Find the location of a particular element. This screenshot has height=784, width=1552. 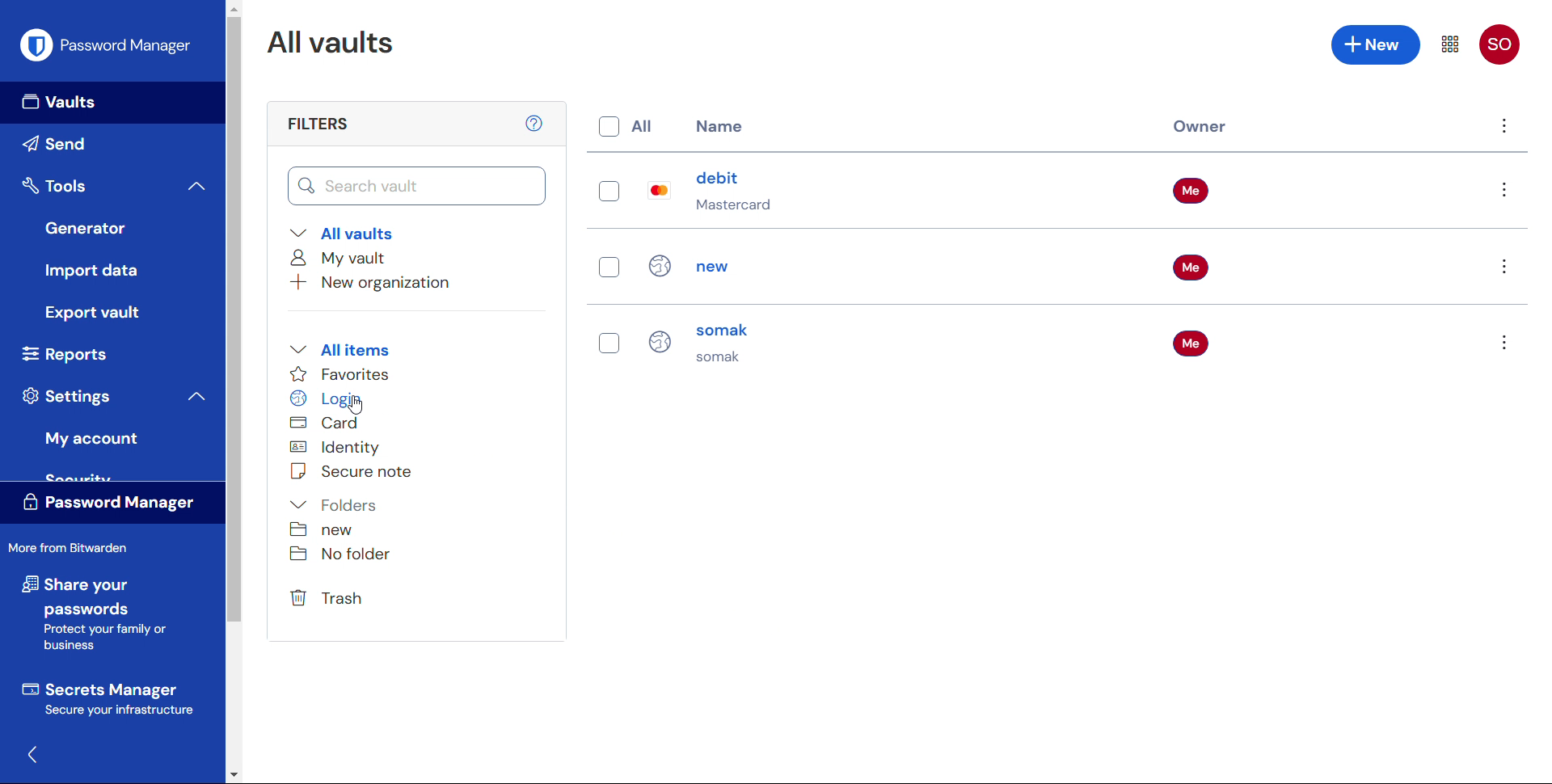

Select is located at coordinates (609, 191).